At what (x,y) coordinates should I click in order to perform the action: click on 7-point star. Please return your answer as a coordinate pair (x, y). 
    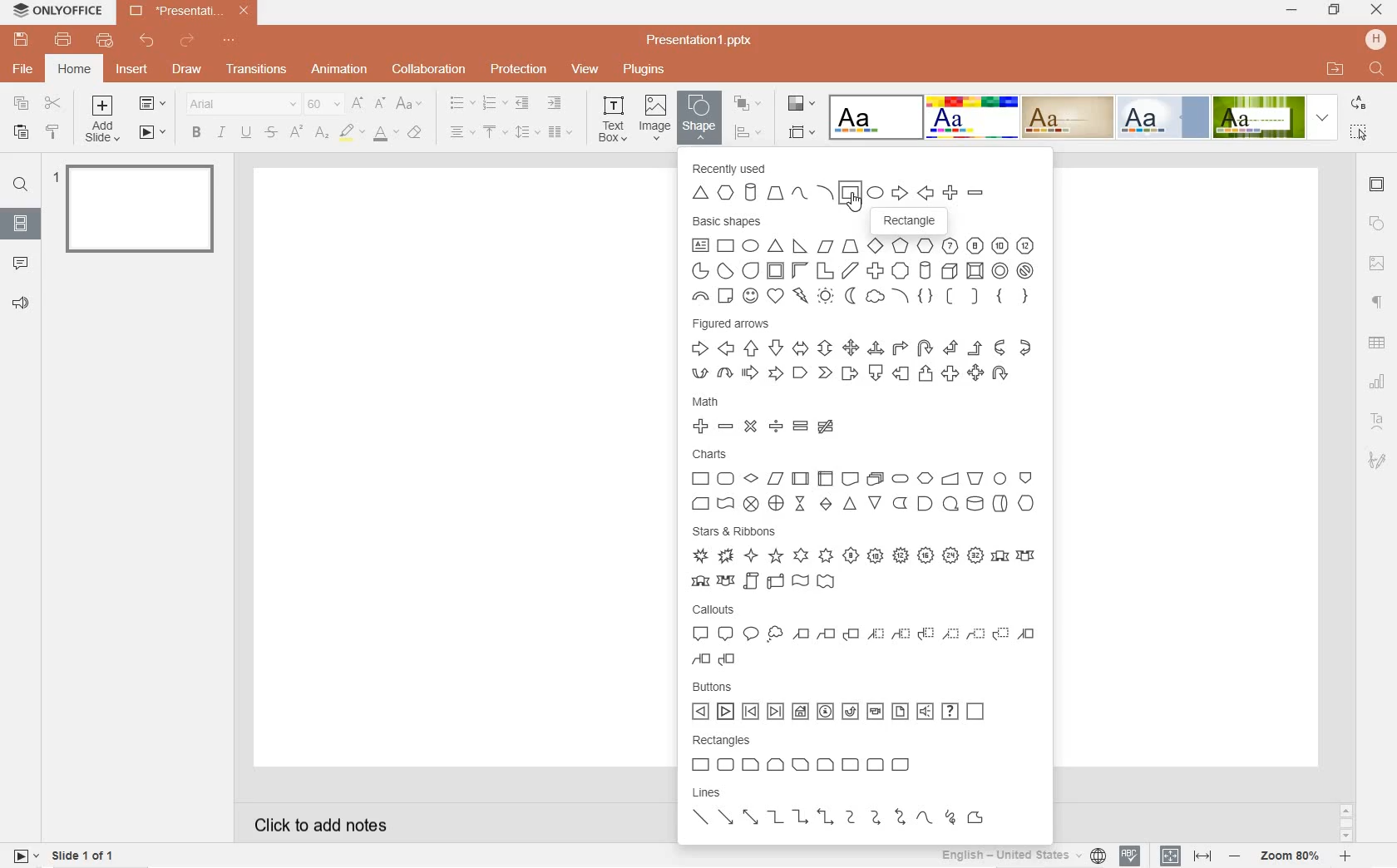
    Looking at the image, I should click on (827, 557).